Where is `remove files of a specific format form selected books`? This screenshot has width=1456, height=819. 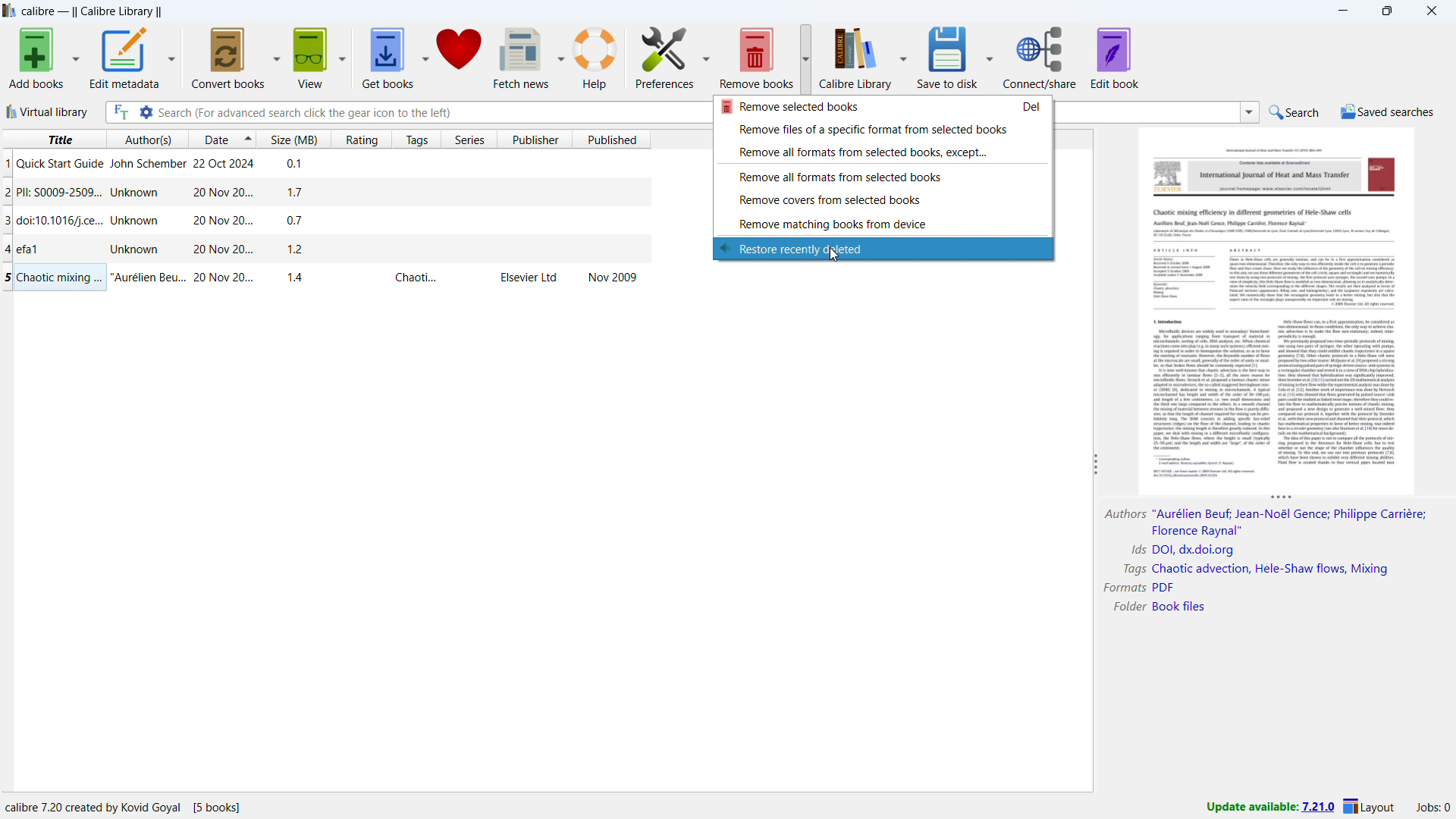
remove files of a specific format form selected books is located at coordinates (882, 129).